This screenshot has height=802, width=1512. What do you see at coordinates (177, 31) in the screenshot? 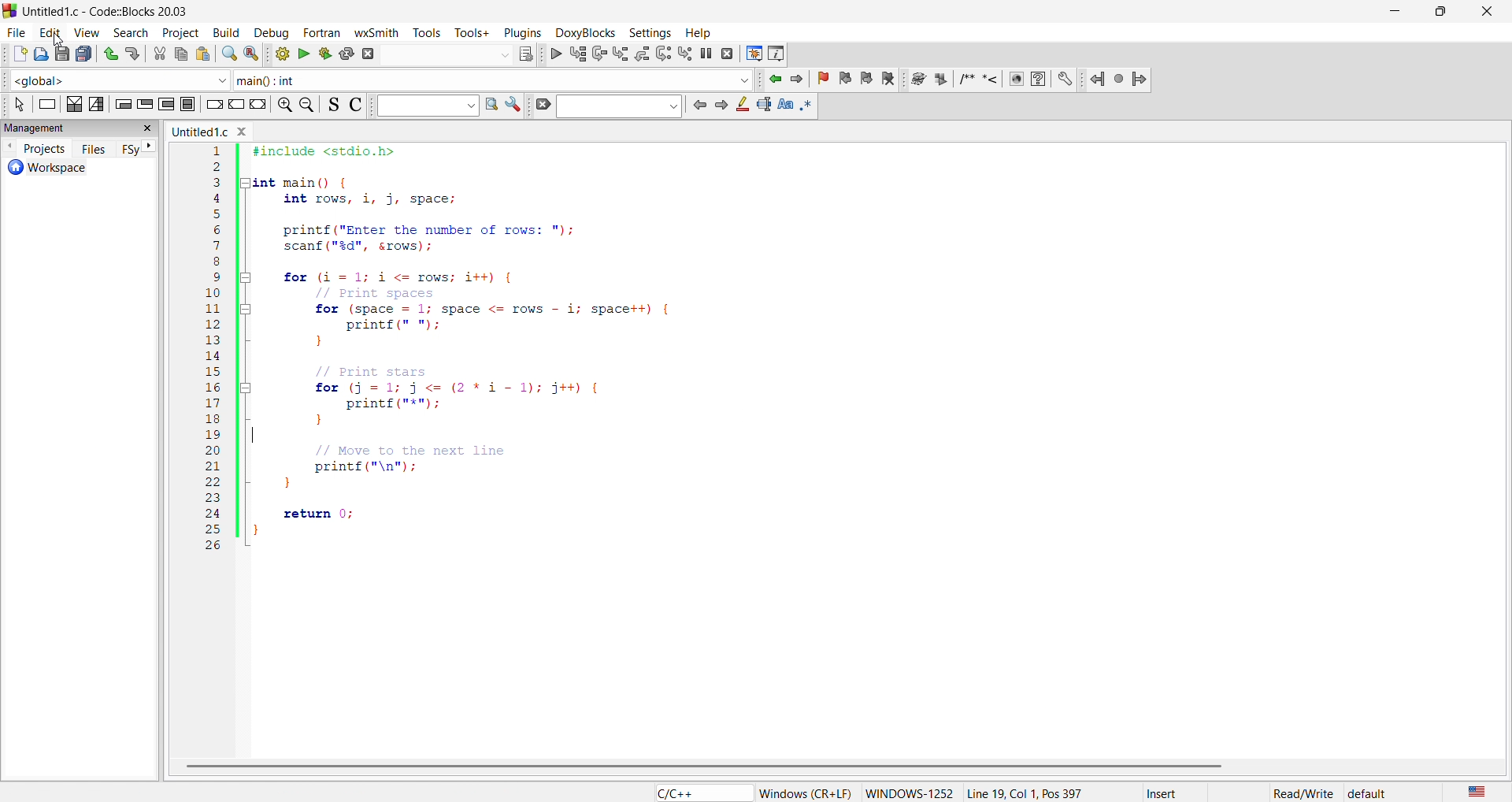
I see `project` at bounding box center [177, 31].